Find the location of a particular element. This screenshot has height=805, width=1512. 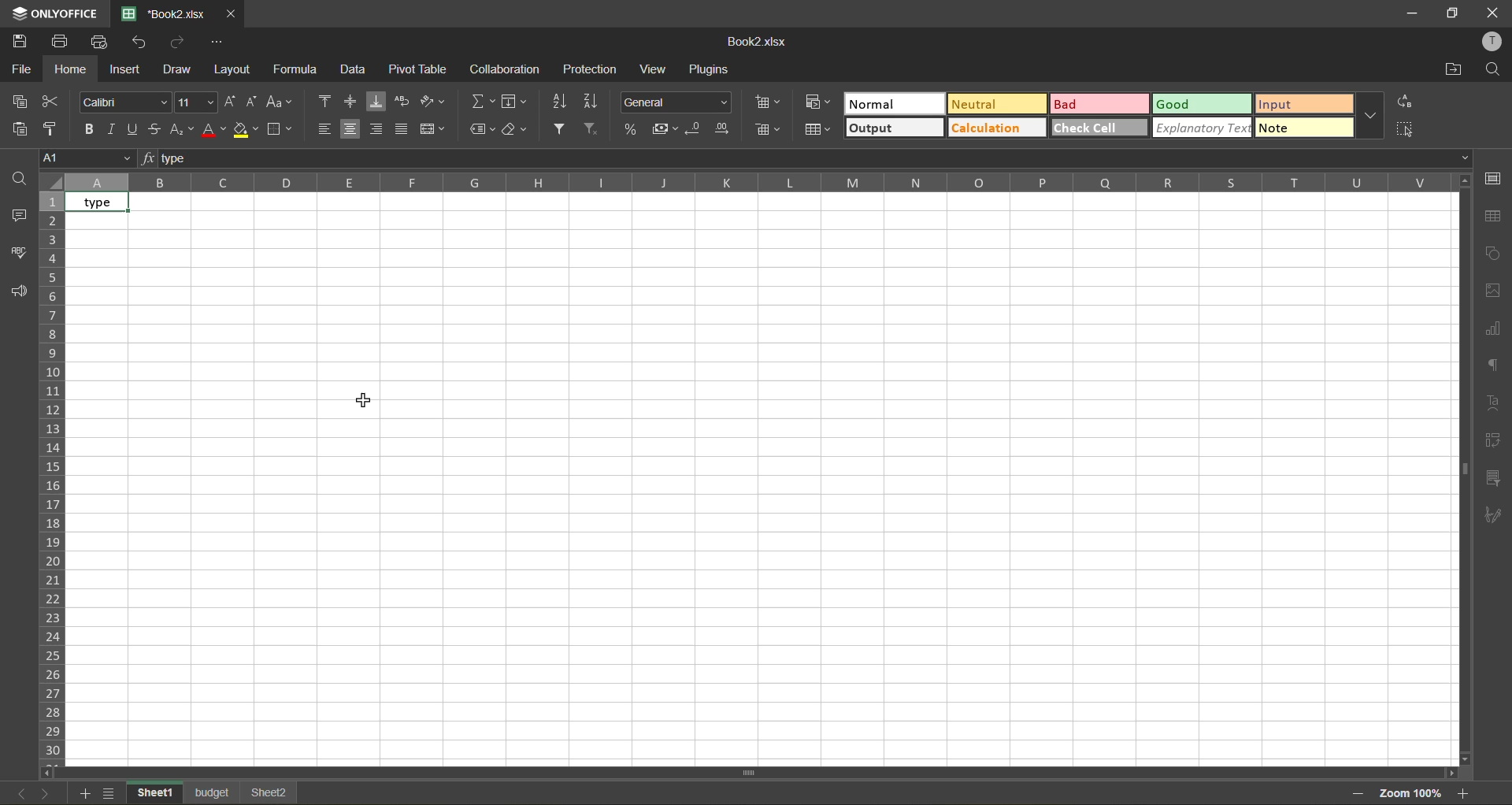

fx is located at coordinates (150, 159).